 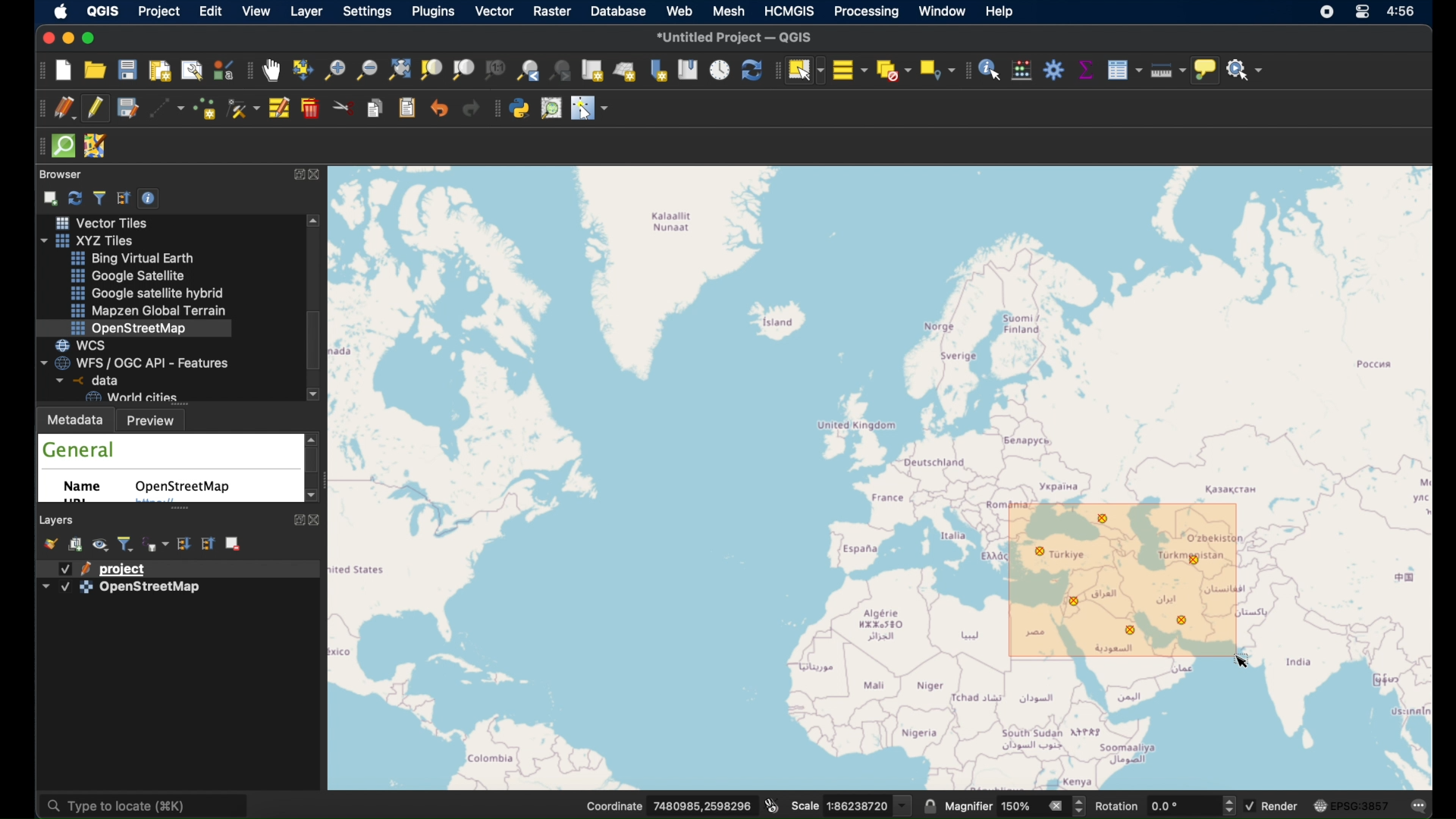 I want to click on dropdown, so click(x=903, y=805).